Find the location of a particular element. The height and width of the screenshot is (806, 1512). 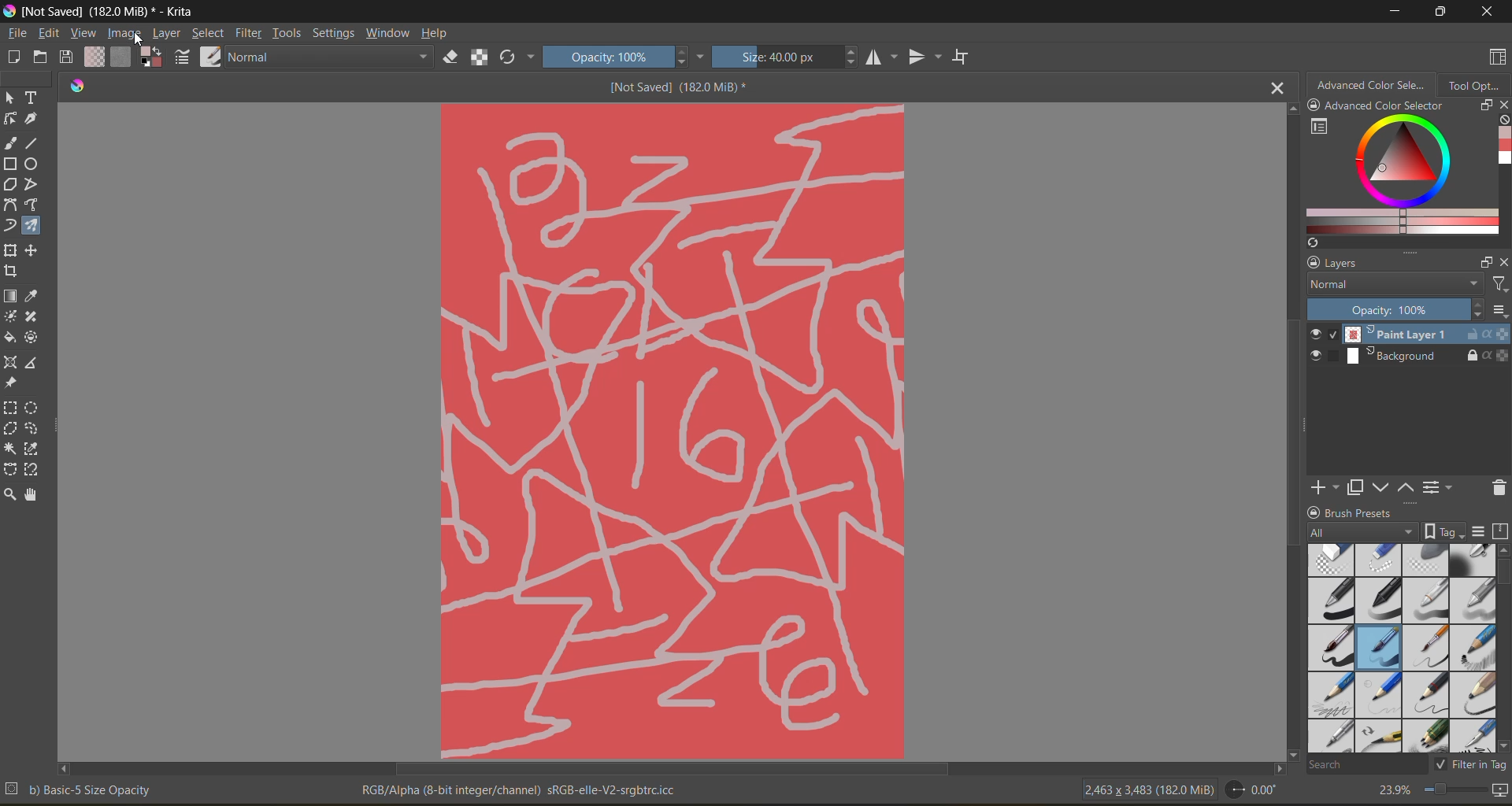

mask down is located at coordinates (1380, 488).